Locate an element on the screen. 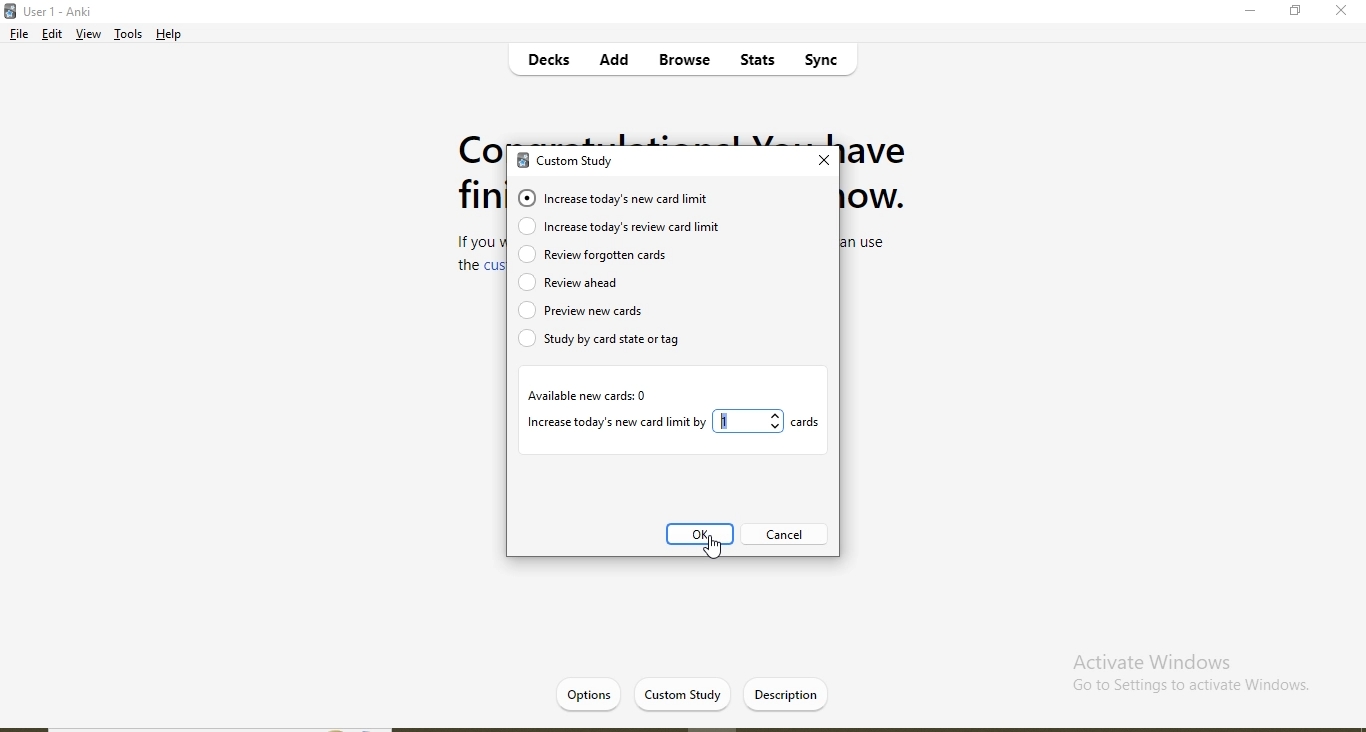  add is located at coordinates (615, 62).